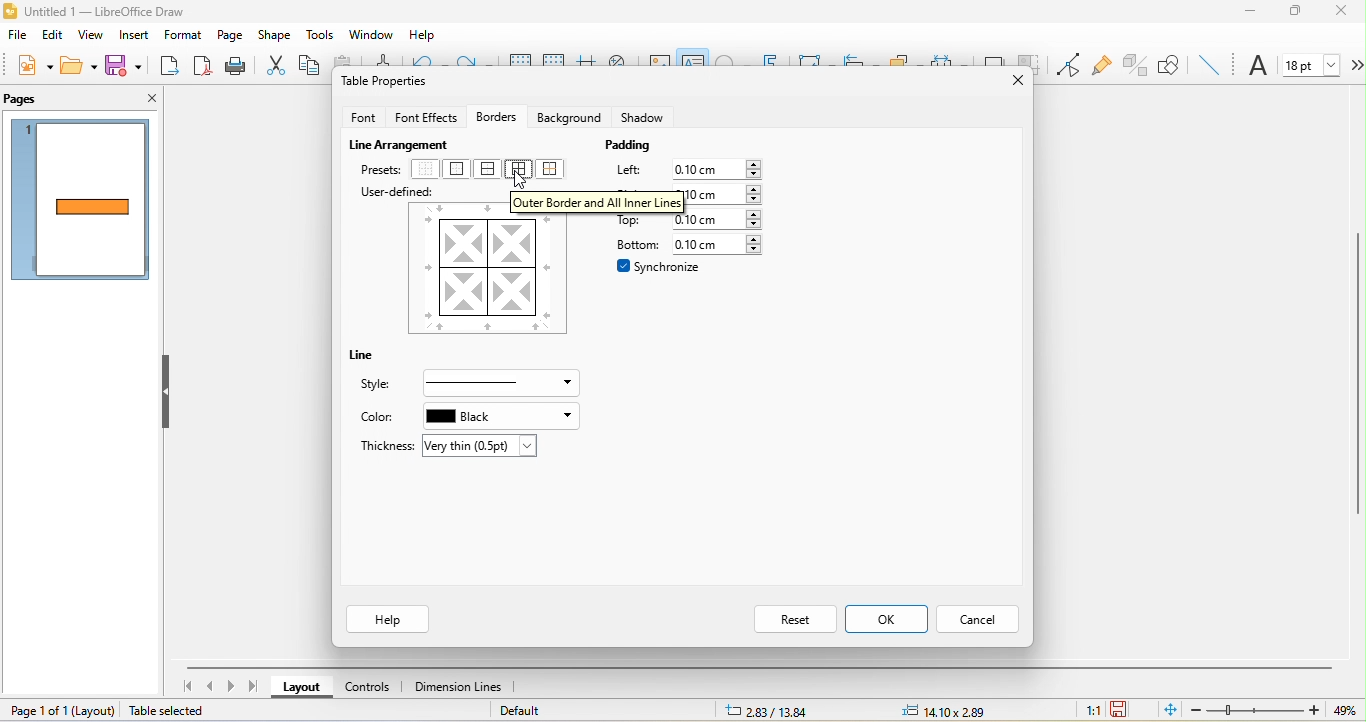  What do you see at coordinates (301, 688) in the screenshot?
I see `layout` at bounding box center [301, 688].